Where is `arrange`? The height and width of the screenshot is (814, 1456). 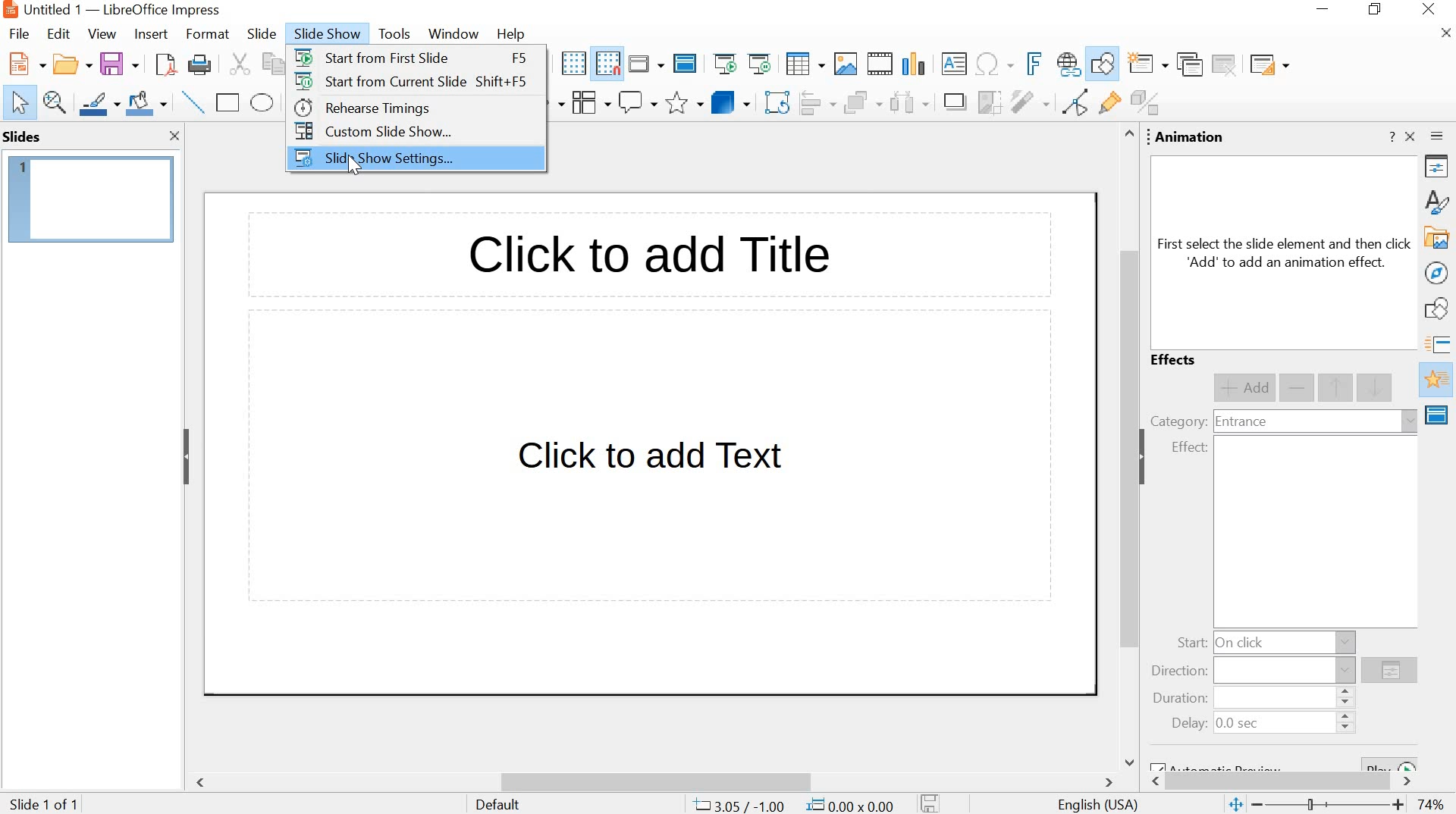
arrange is located at coordinates (861, 104).